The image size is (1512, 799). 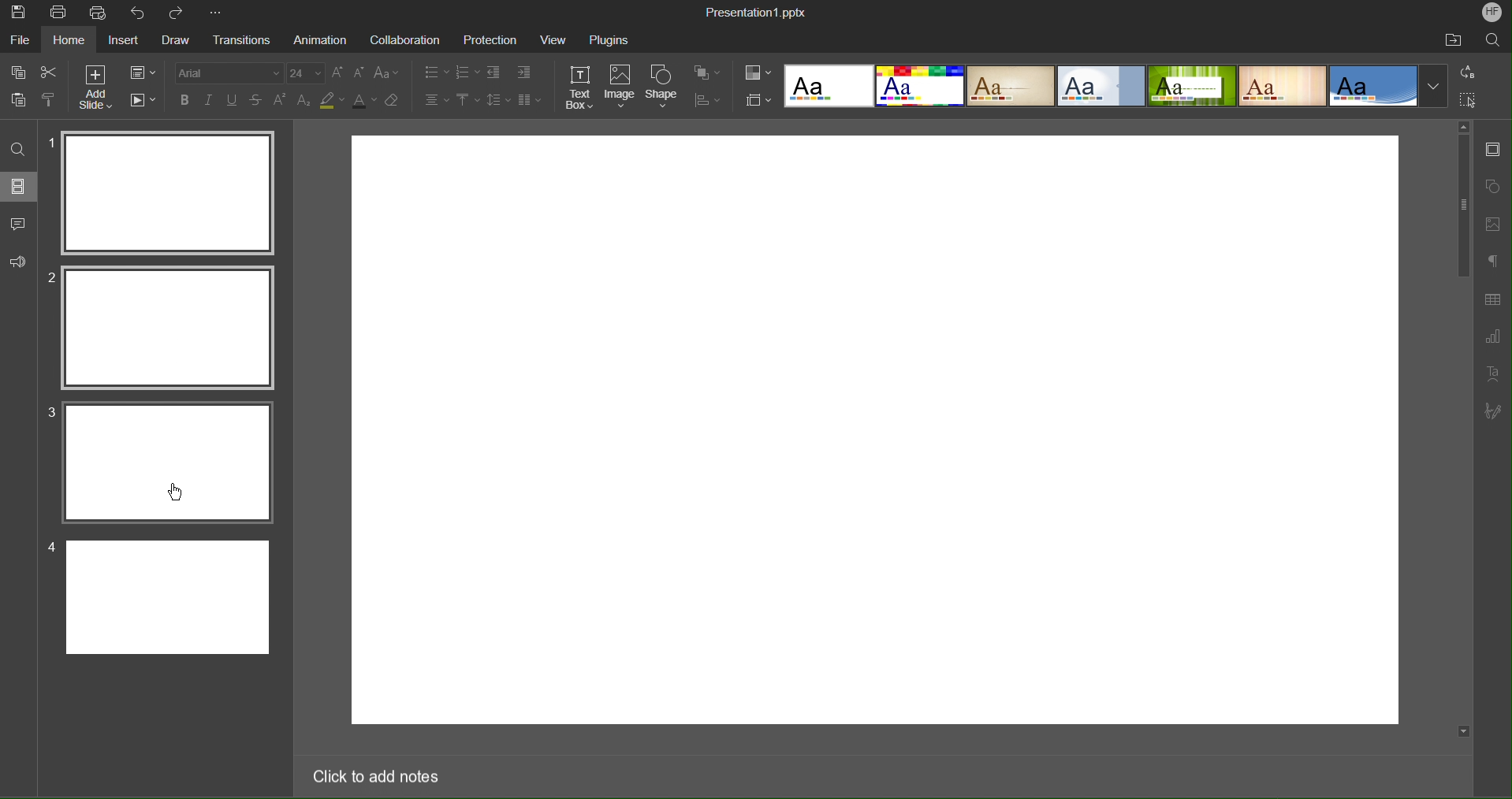 What do you see at coordinates (1467, 100) in the screenshot?
I see `Selection` at bounding box center [1467, 100].